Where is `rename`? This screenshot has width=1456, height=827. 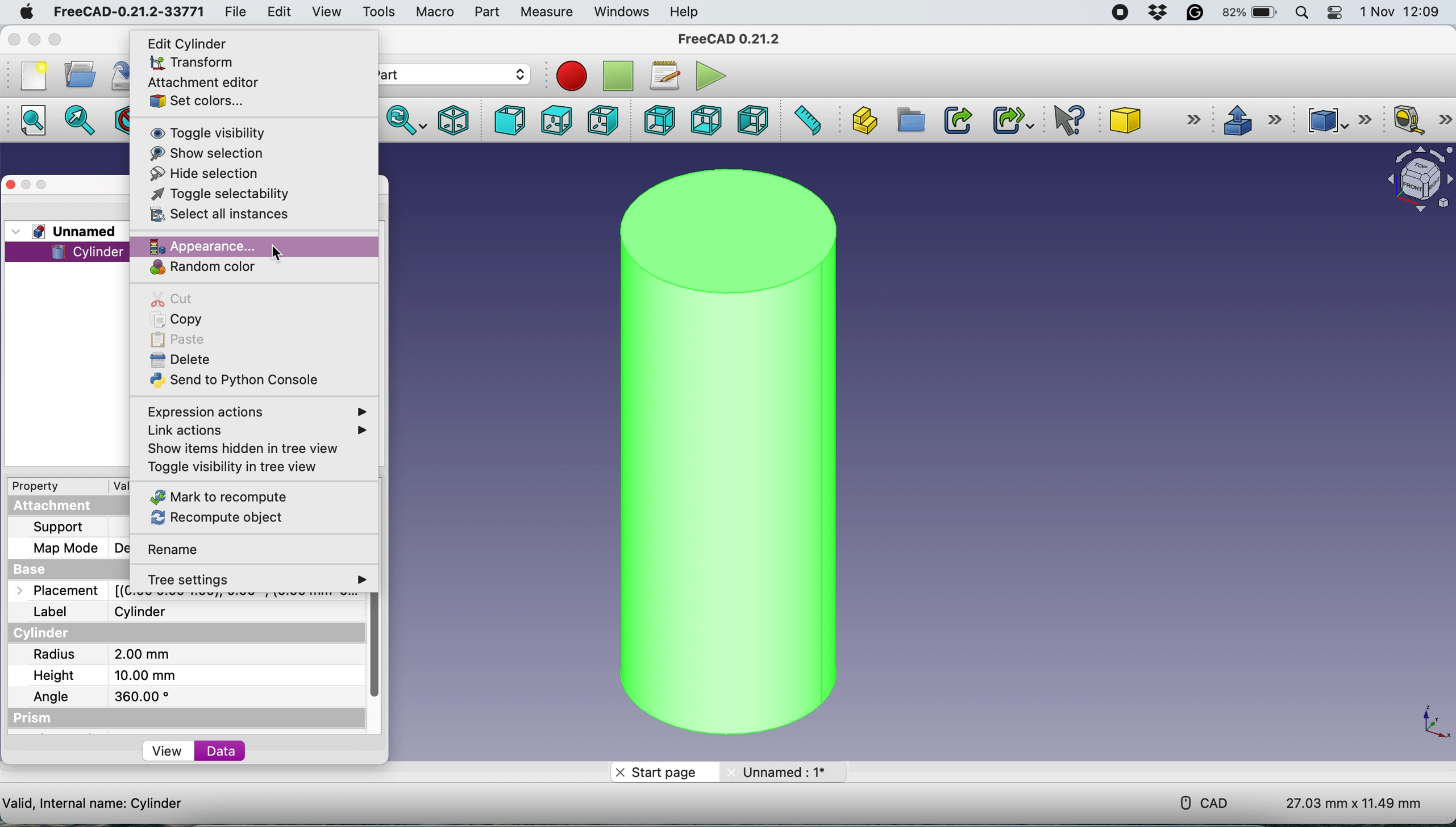 rename is located at coordinates (182, 552).